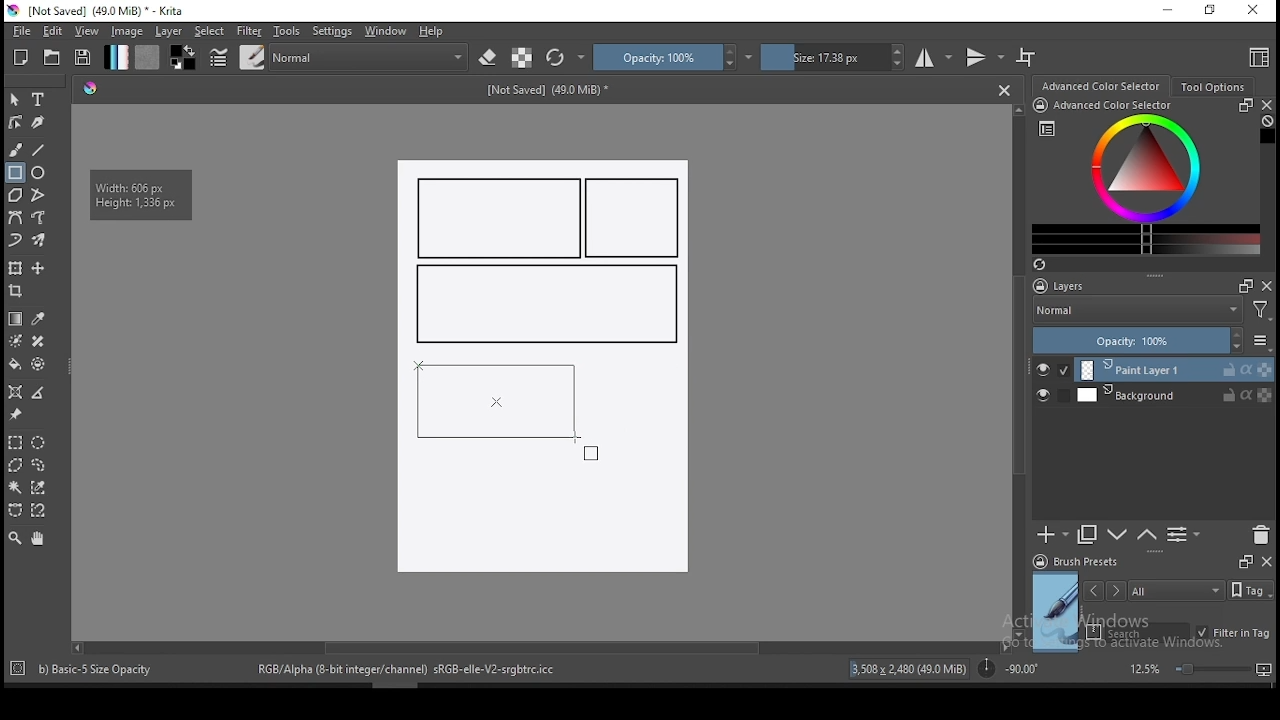 The image size is (1280, 720). Describe the element at coordinates (673, 57) in the screenshot. I see `opacity` at that location.